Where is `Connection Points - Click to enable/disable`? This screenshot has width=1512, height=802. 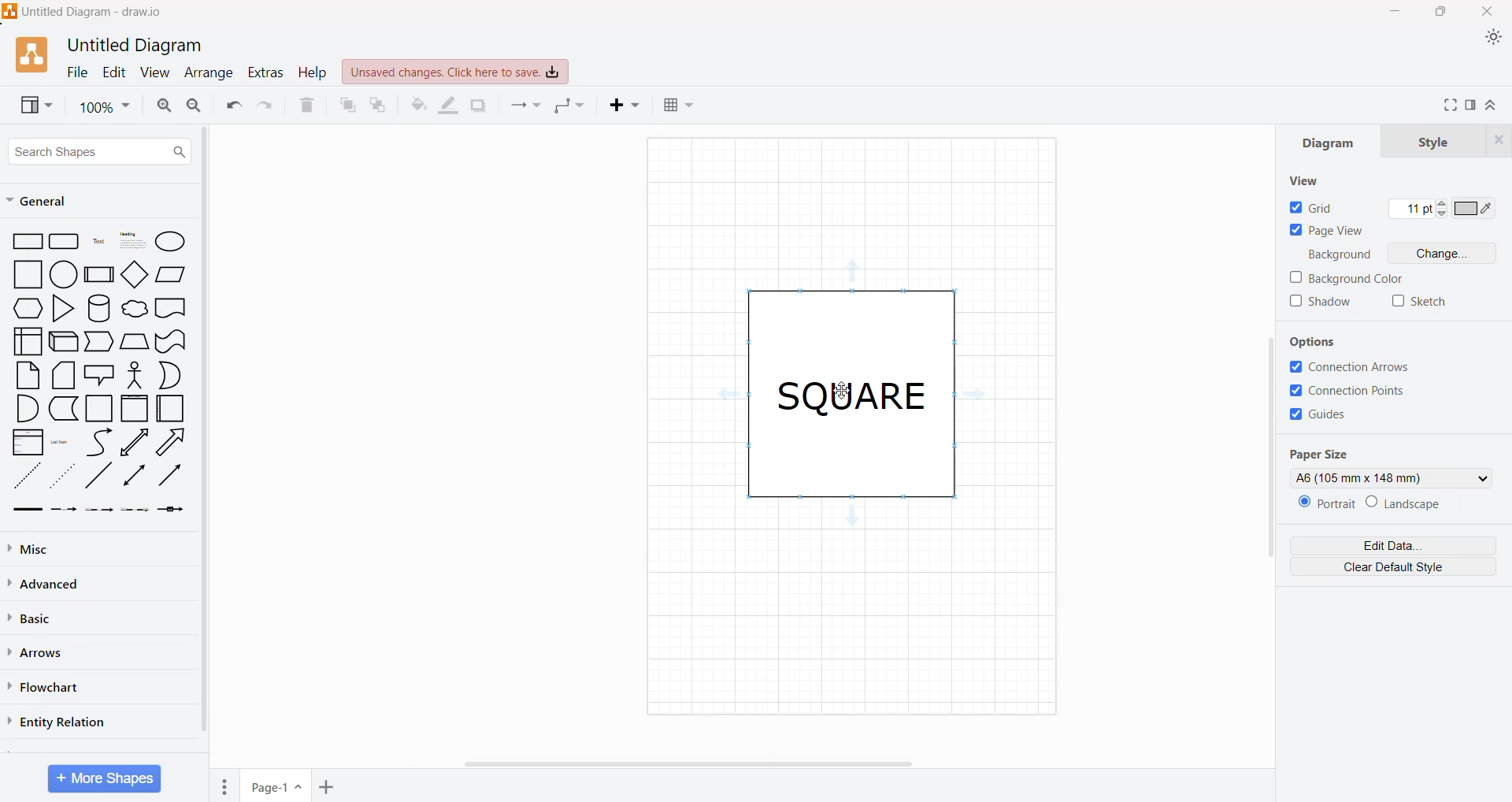
Connection Points - Click to enable/disable is located at coordinates (1355, 392).